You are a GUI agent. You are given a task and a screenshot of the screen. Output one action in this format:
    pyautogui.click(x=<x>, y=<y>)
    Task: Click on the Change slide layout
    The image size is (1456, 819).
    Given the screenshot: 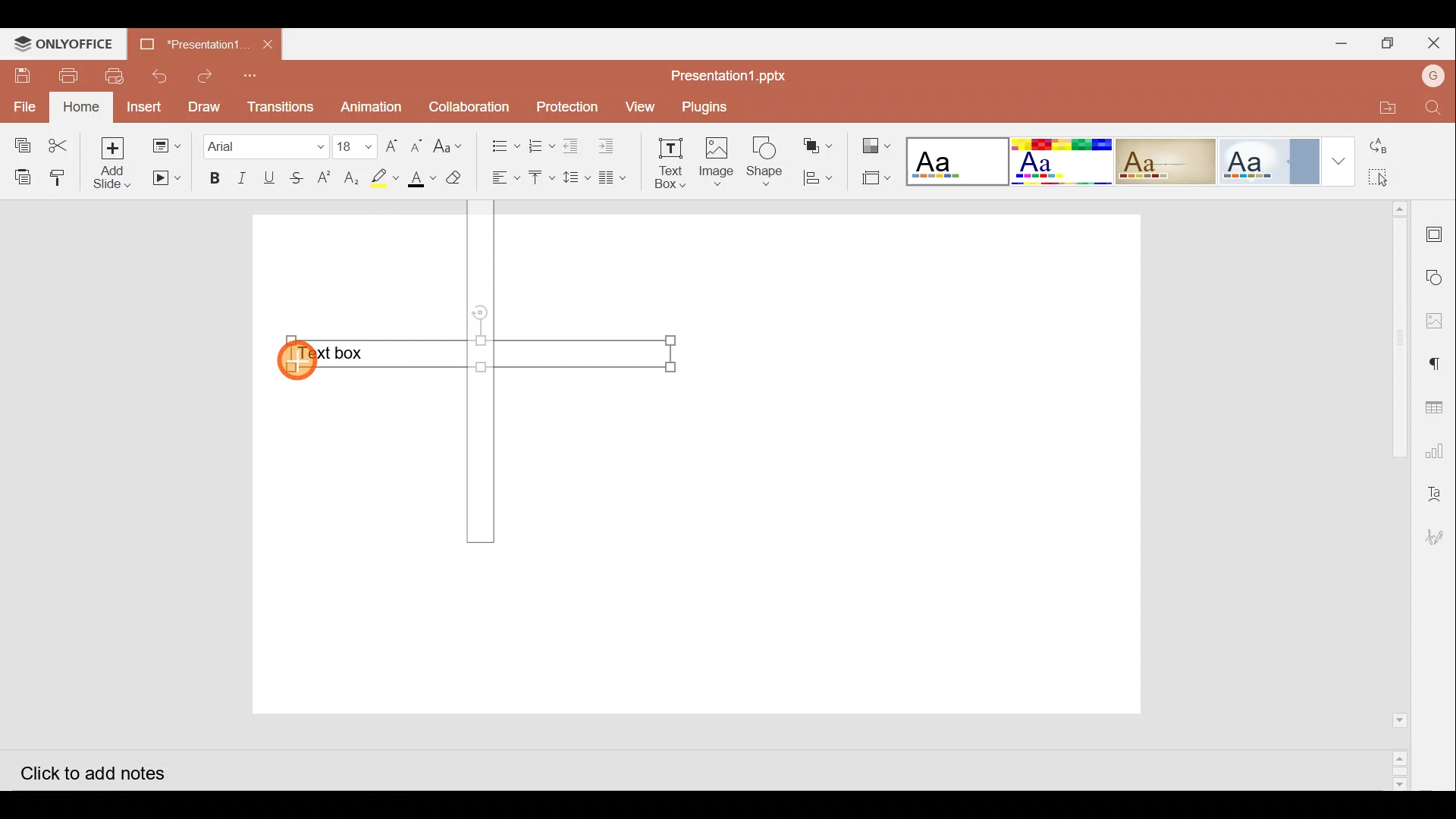 What is the action you would take?
    pyautogui.click(x=168, y=143)
    